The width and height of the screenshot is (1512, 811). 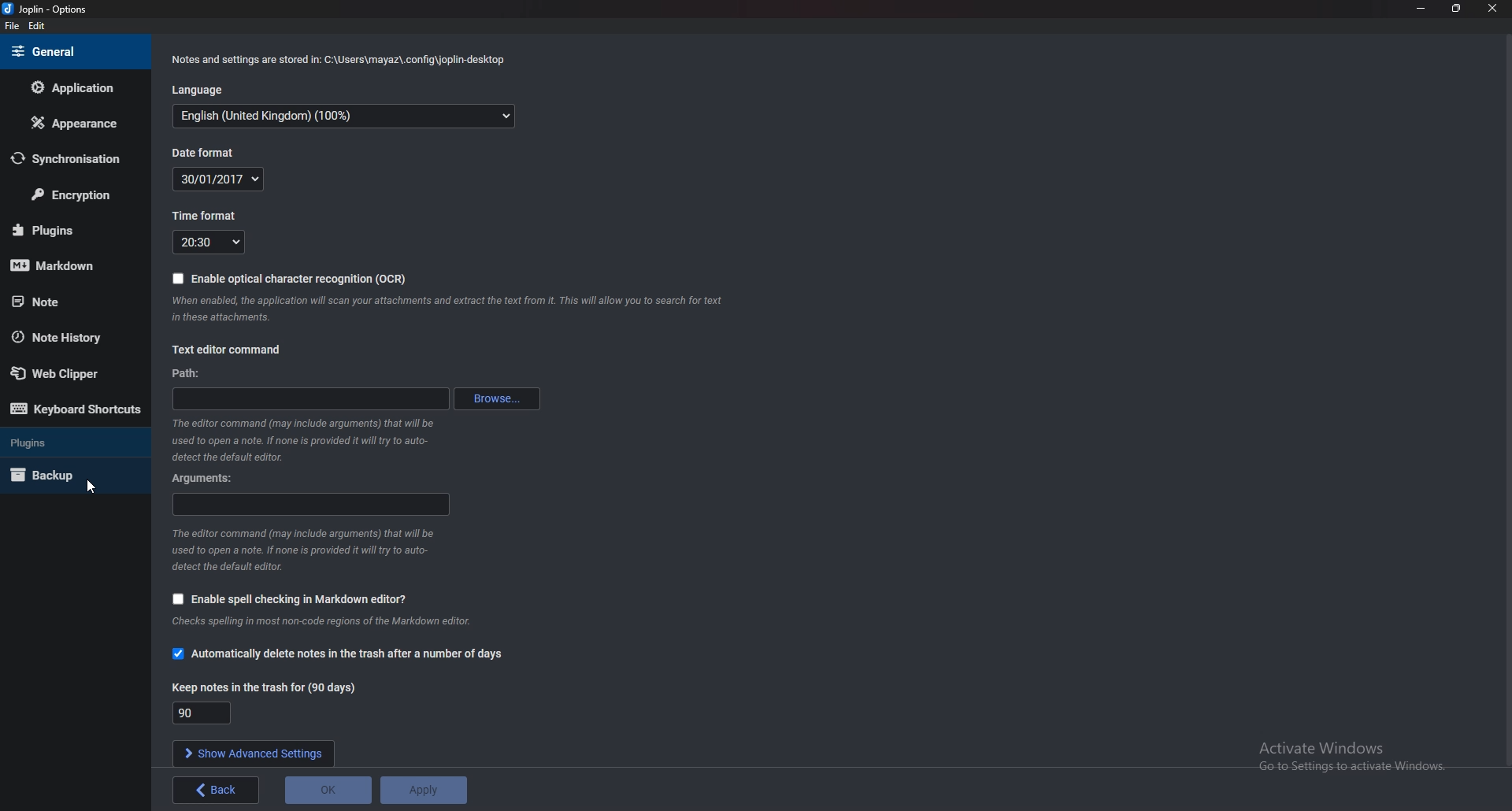 I want to click on Language, so click(x=343, y=117).